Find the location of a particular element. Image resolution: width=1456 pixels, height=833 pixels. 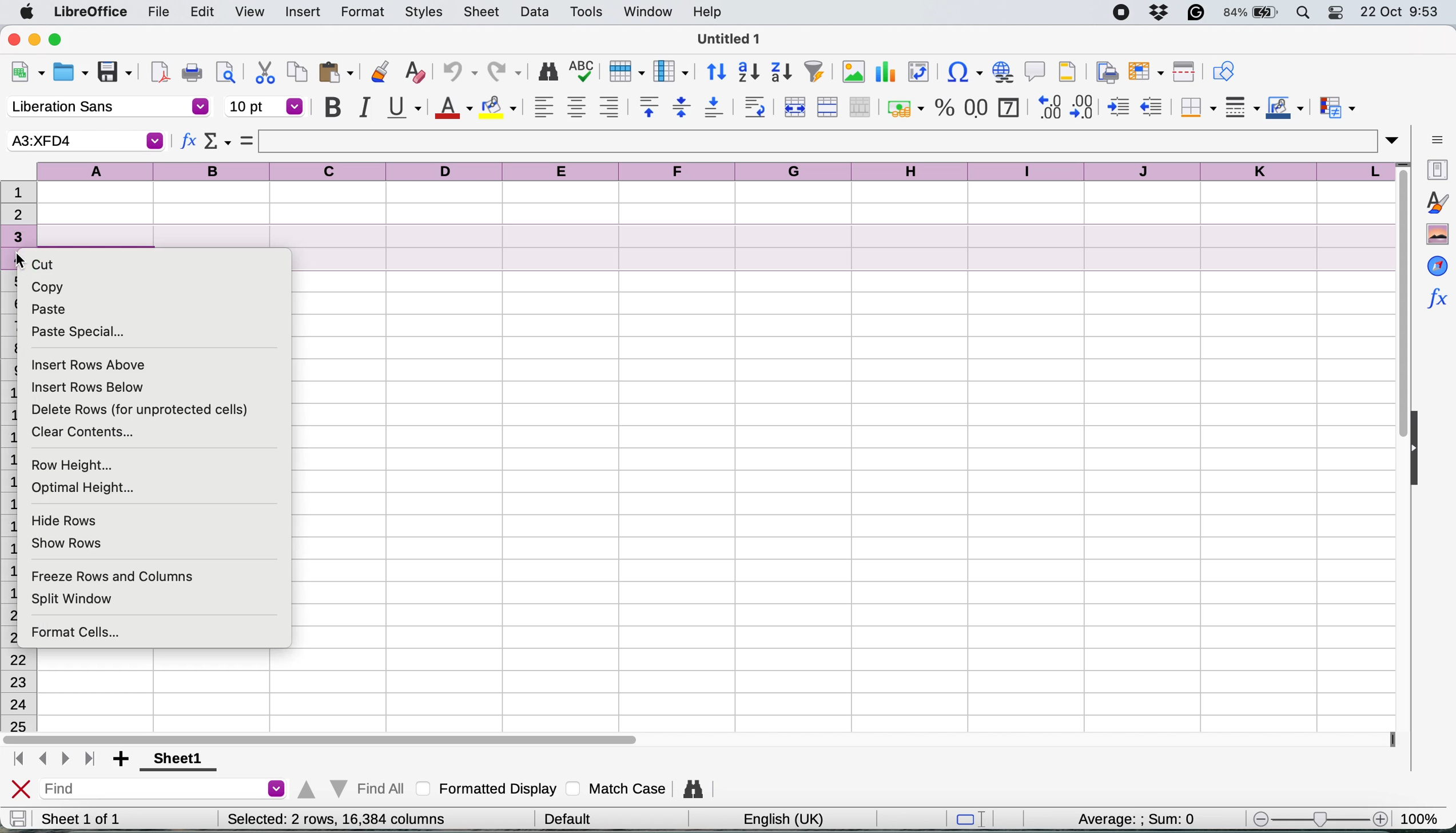

maximise is located at coordinates (61, 40).